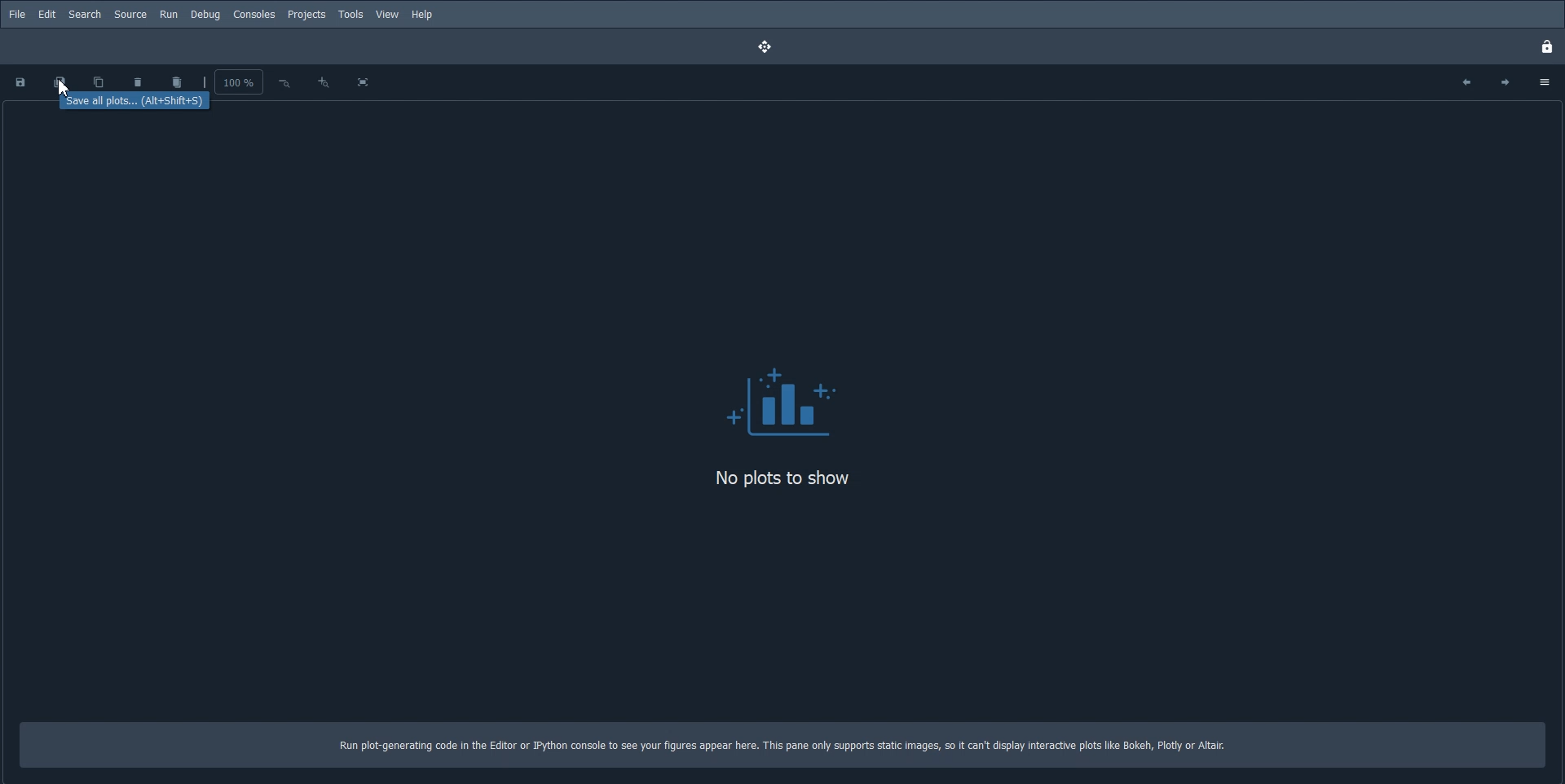  Describe the element at coordinates (86, 15) in the screenshot. I see `Search` at that location.